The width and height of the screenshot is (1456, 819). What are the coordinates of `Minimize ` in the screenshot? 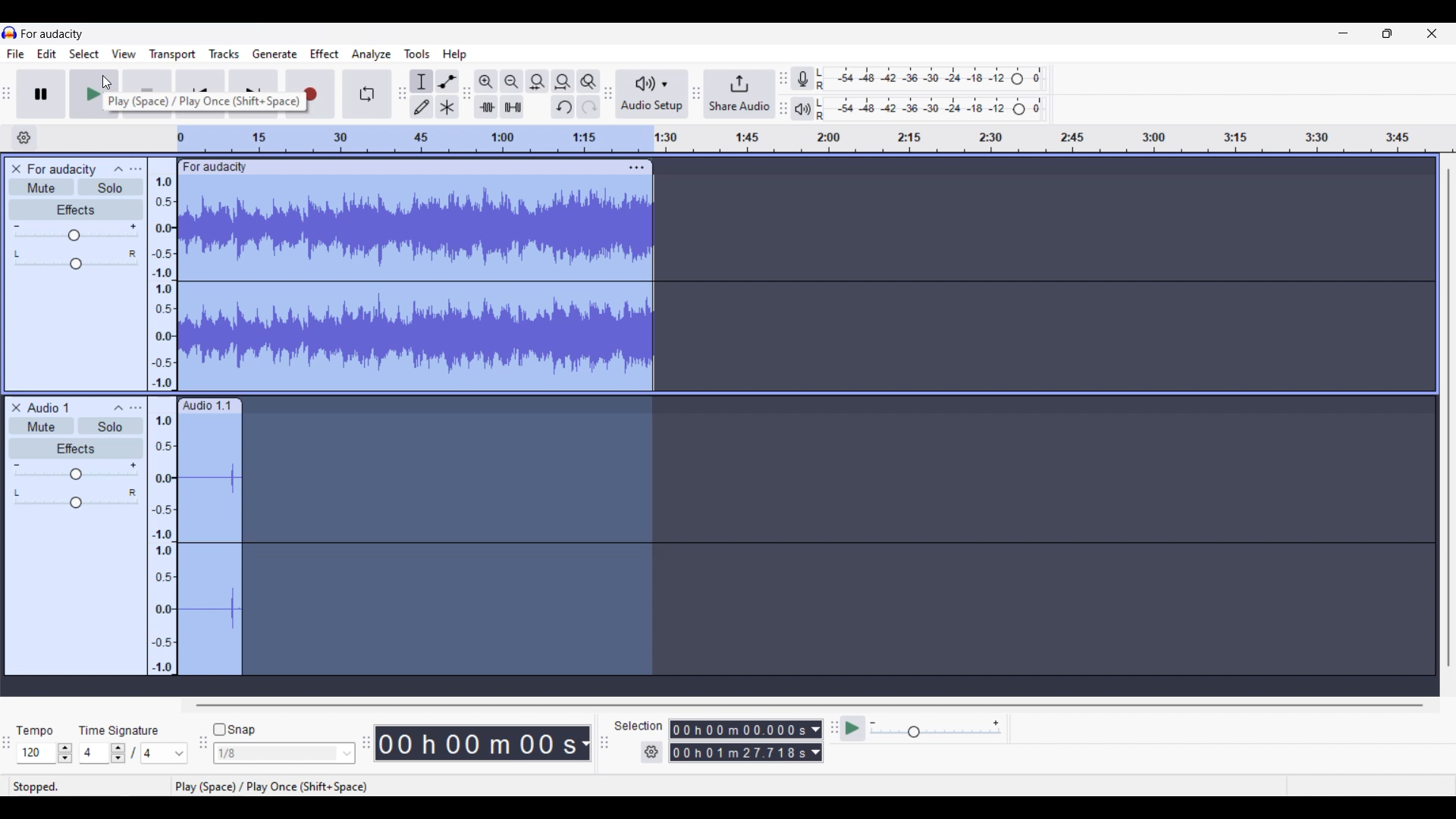 It's located at (1344, 33).